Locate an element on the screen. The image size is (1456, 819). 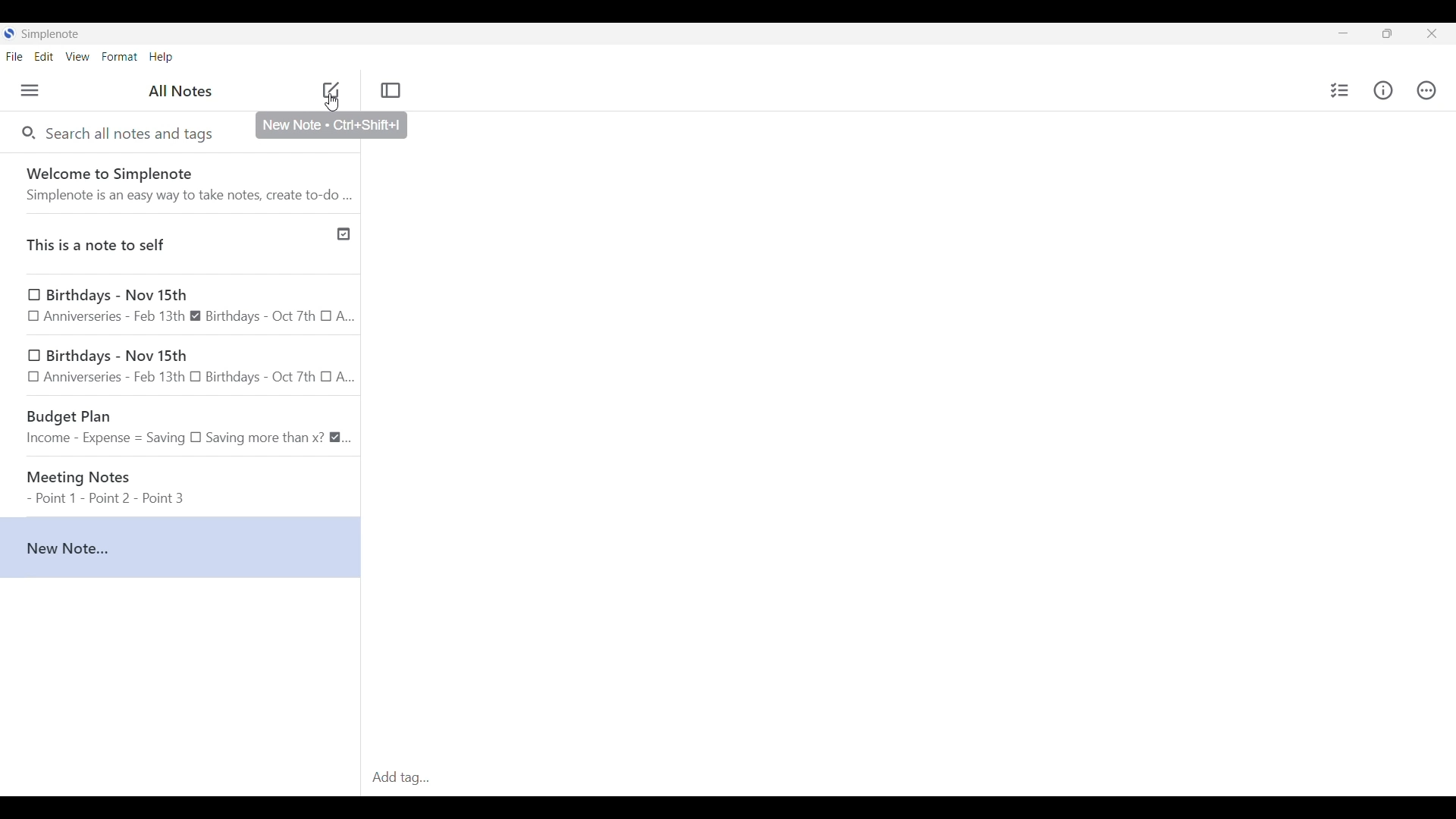
Description of selected icon is located at coordinates (332, 125).